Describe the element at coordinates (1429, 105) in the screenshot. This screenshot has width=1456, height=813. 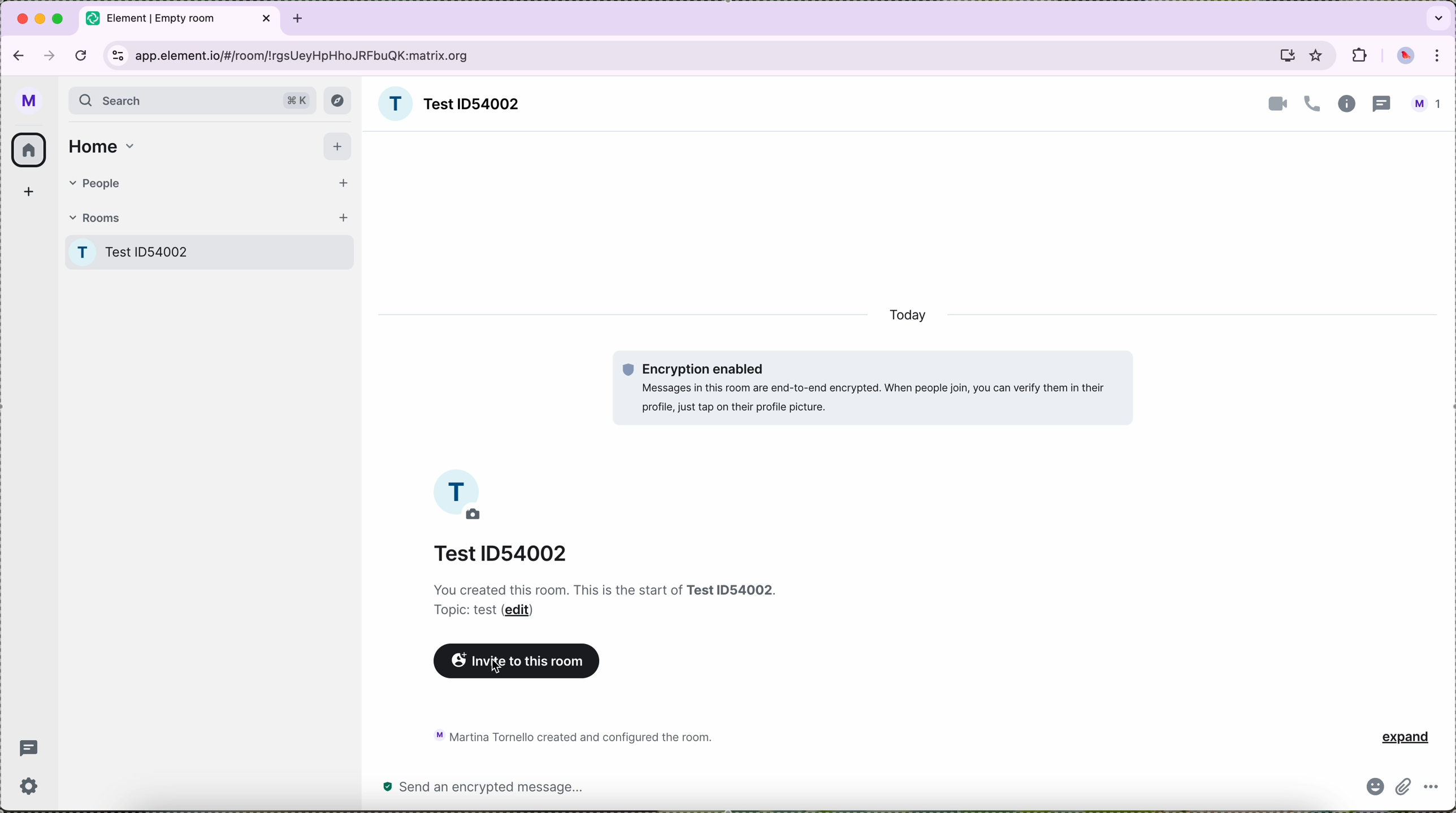
I see `profile` at that location.